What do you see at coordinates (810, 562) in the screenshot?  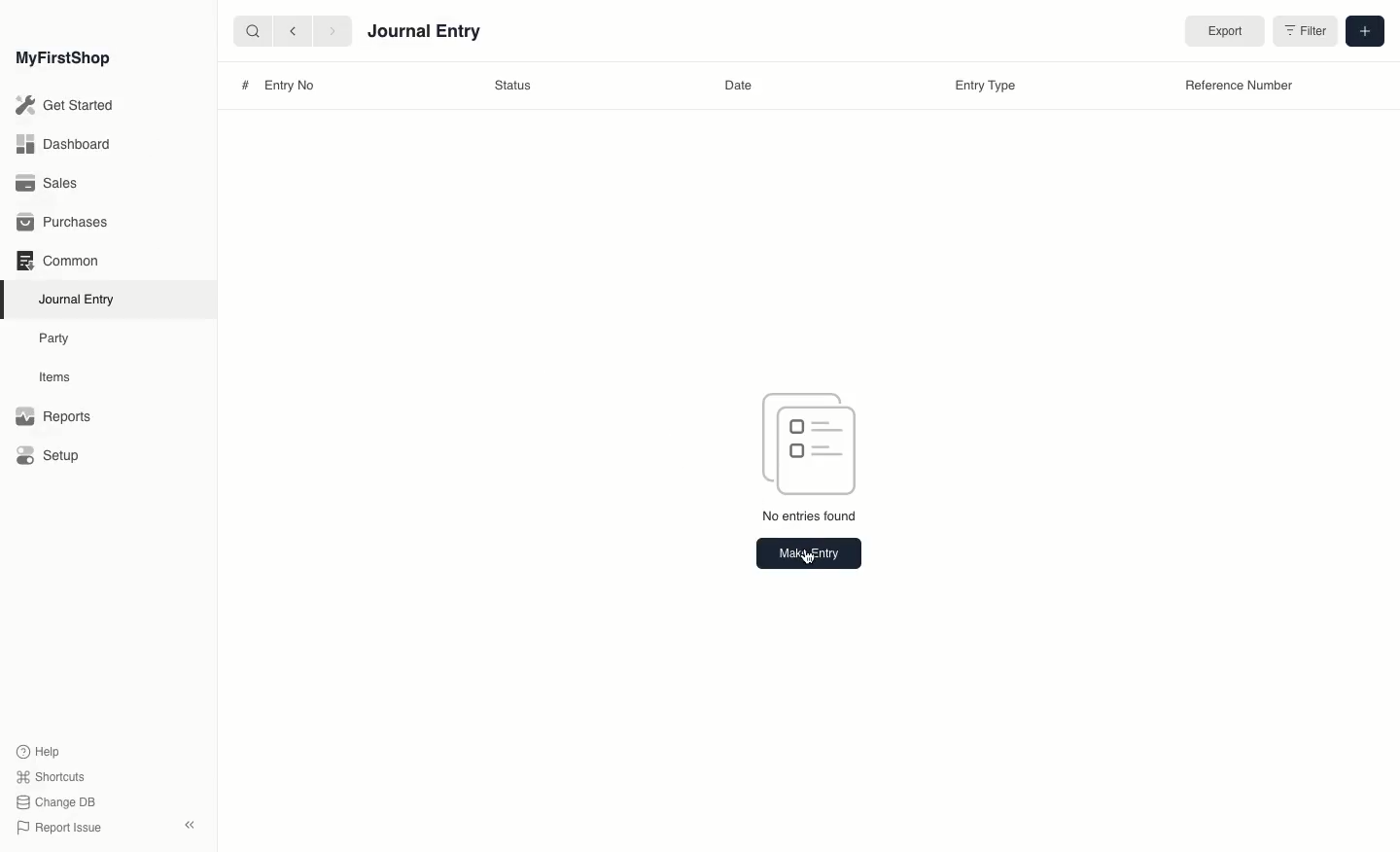 I see `cursor` at bounding box center [810, 562].